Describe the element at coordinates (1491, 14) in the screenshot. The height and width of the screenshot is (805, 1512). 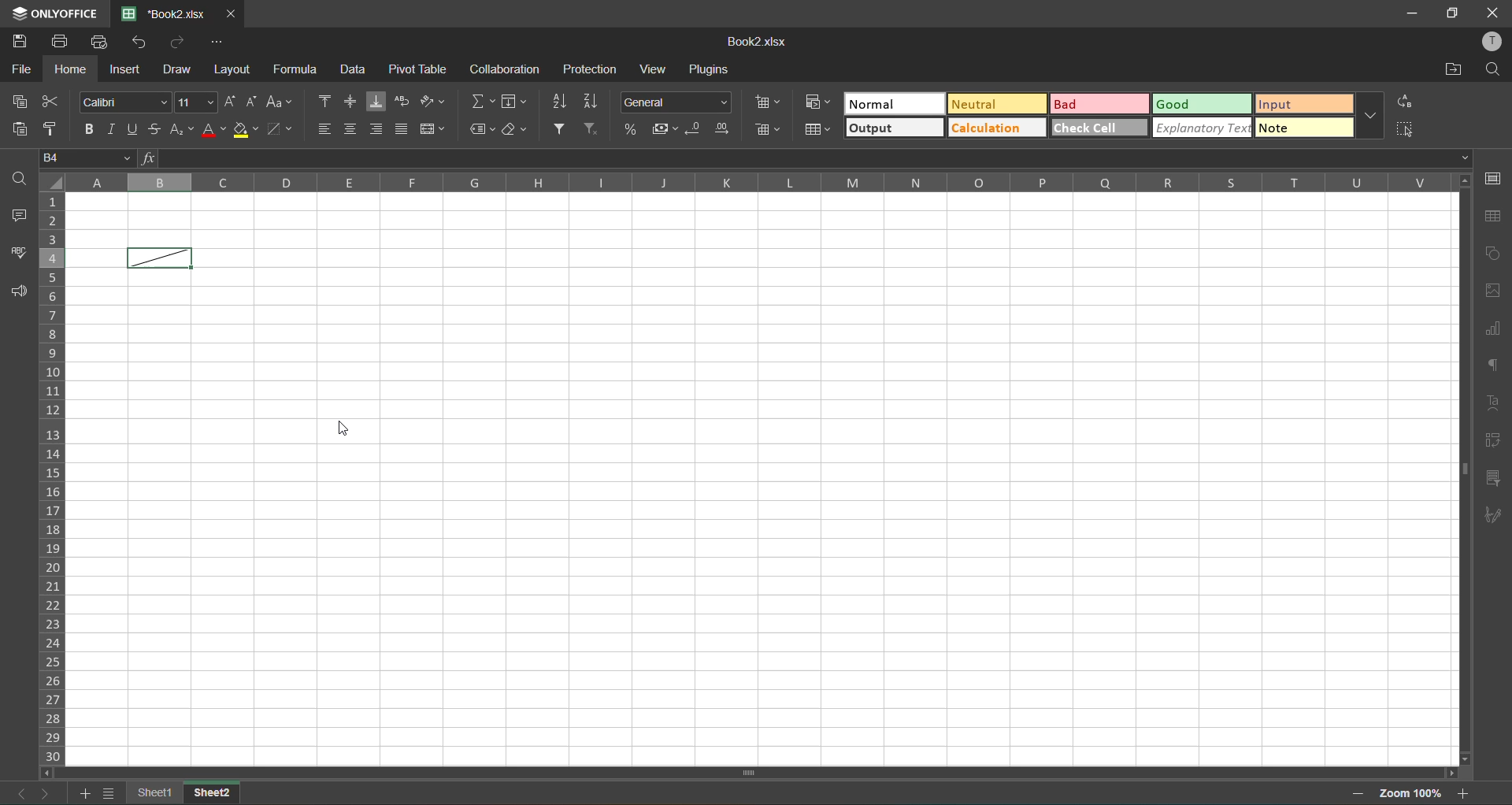
I see `CLOSE` at that location.